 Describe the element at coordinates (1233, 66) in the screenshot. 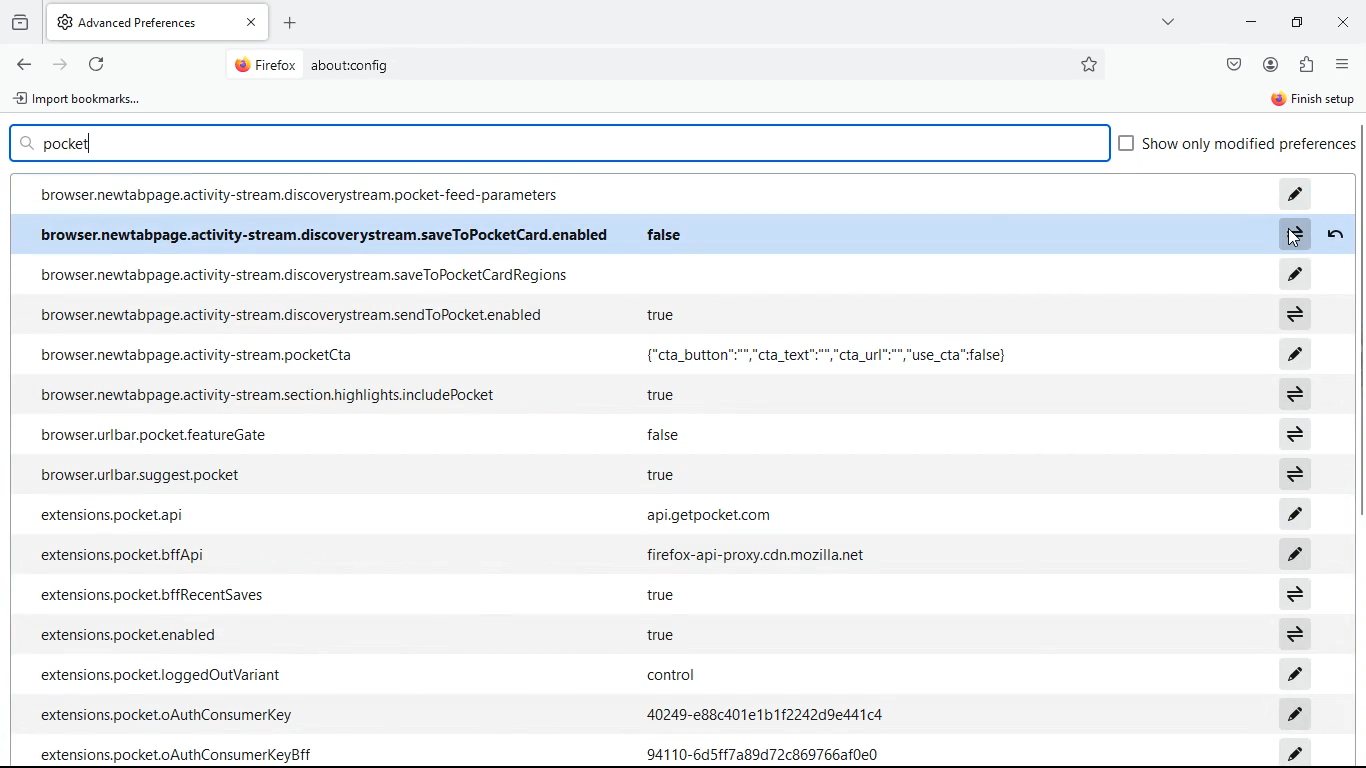

I see `save pocket` at that location.